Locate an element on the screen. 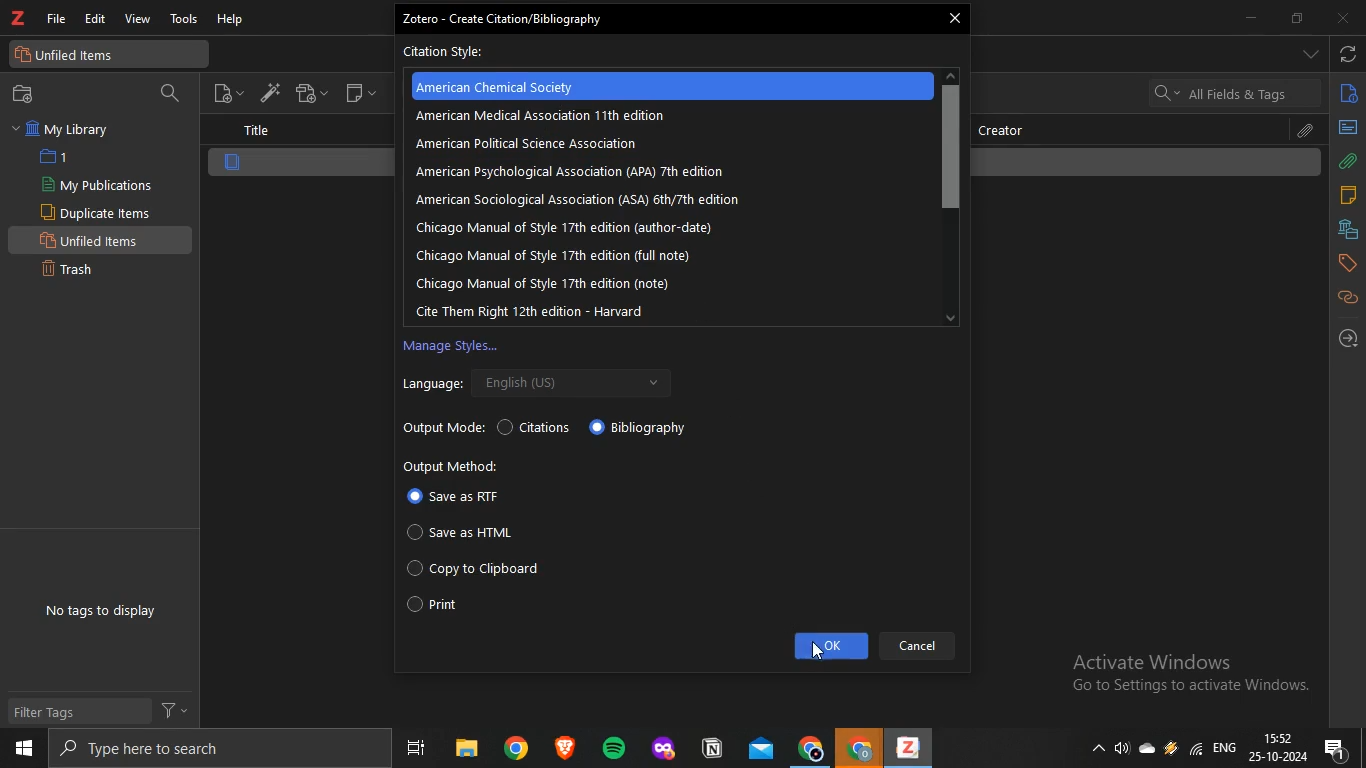 This screenshot has height=768, width=1366. start is located at coordinates (24, 750).